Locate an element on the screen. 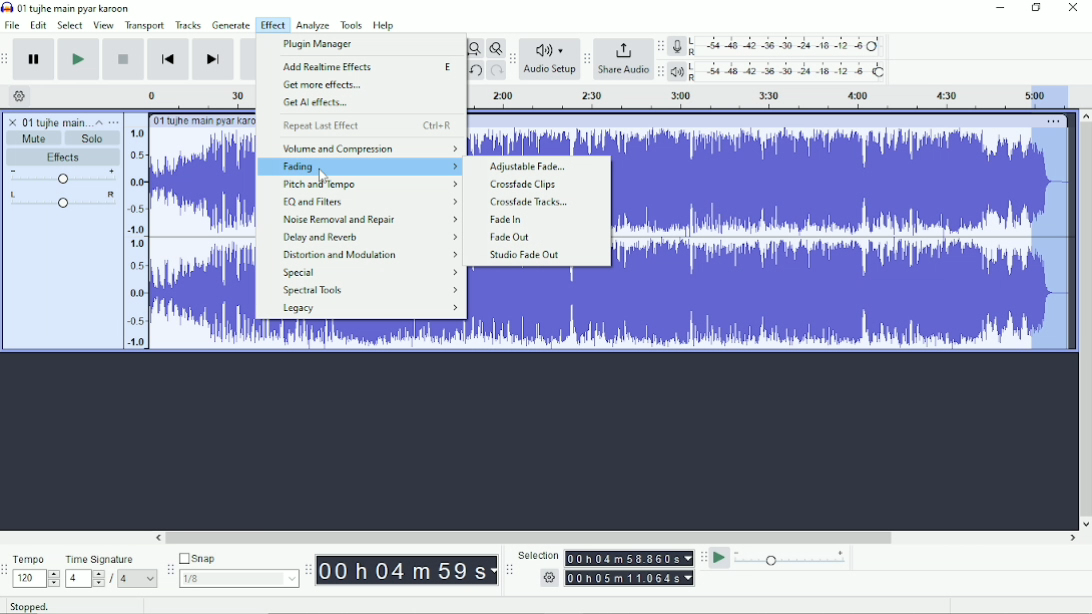 The height and width of the screenshot is (614, 1092). Undo is located at coordinates (475, 70).